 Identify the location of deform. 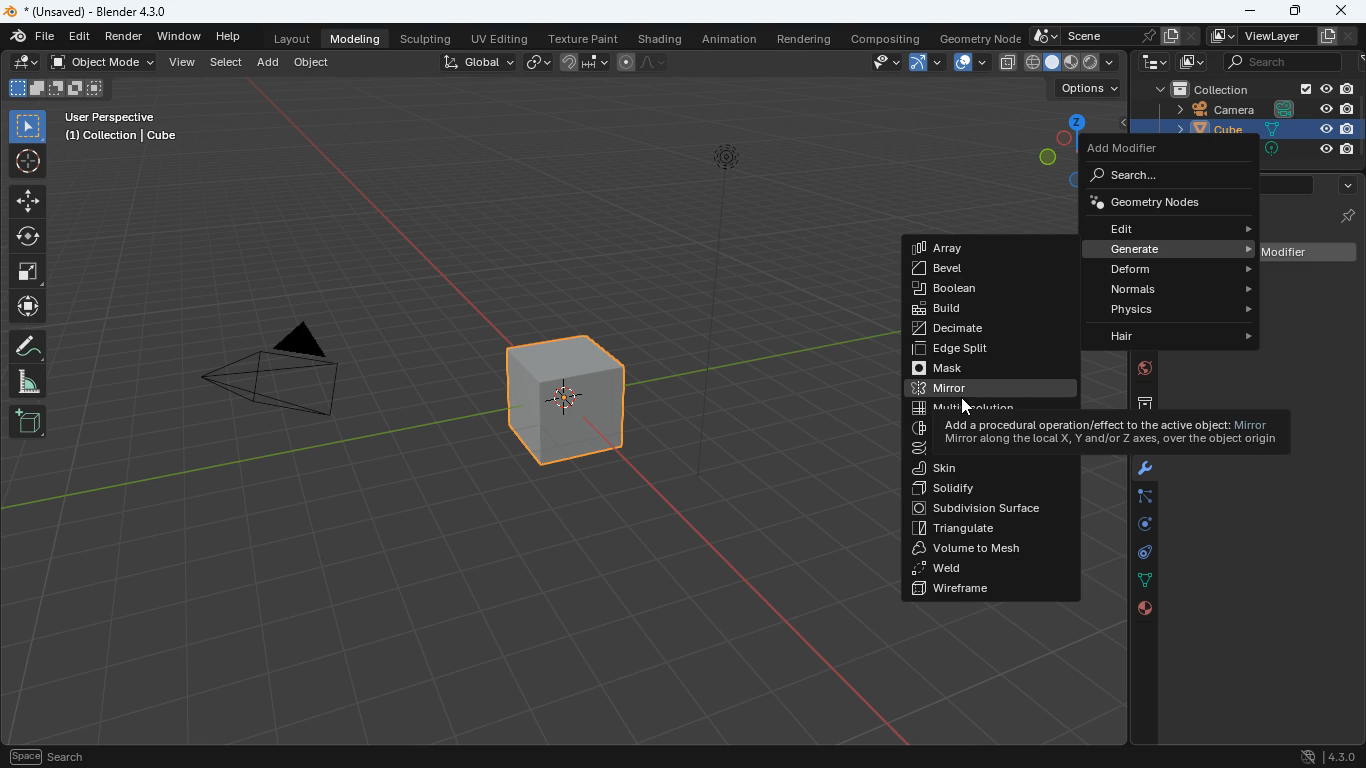
(1176, 269).